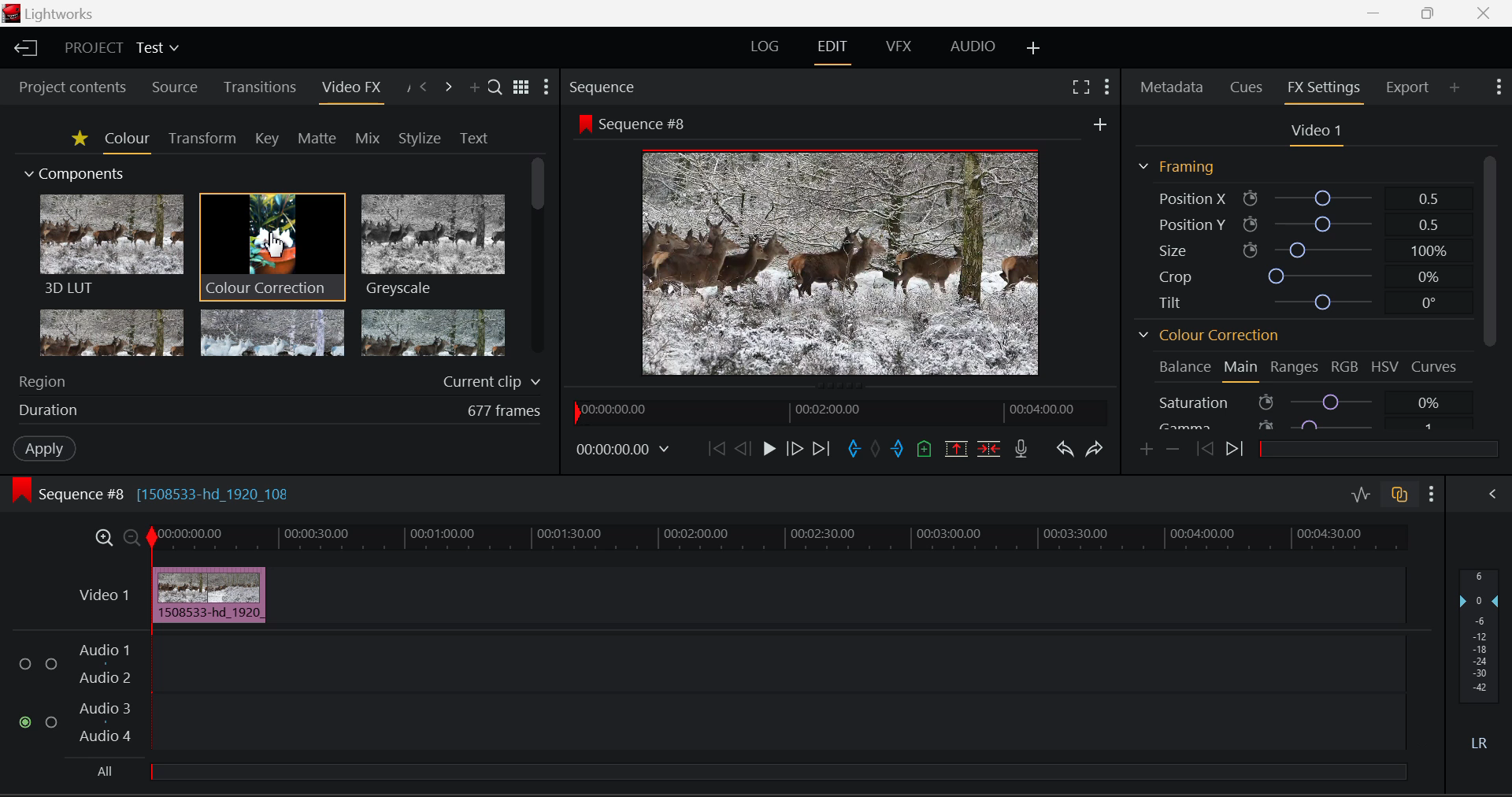 The height and width of the screenshot is (797, 1512). Describe the element at coordinates (369, 137) in the screenshot. I see `Mix` at that location.